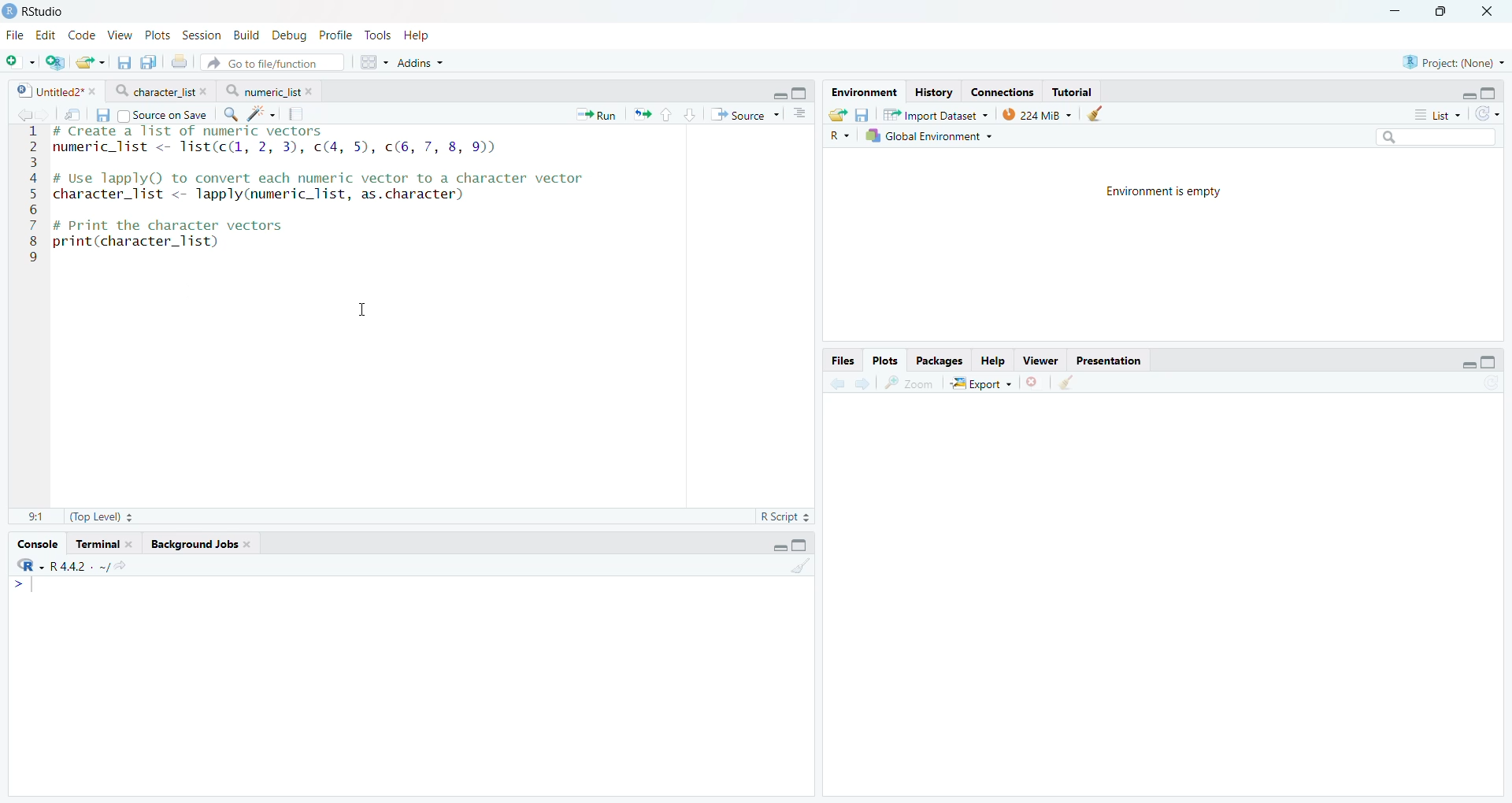 The height and width of the screenshot is (803, 1512). What do you see at coordinates (159, 91) in the screenshot?
I see `character _list` at bounding box center [159, 91].